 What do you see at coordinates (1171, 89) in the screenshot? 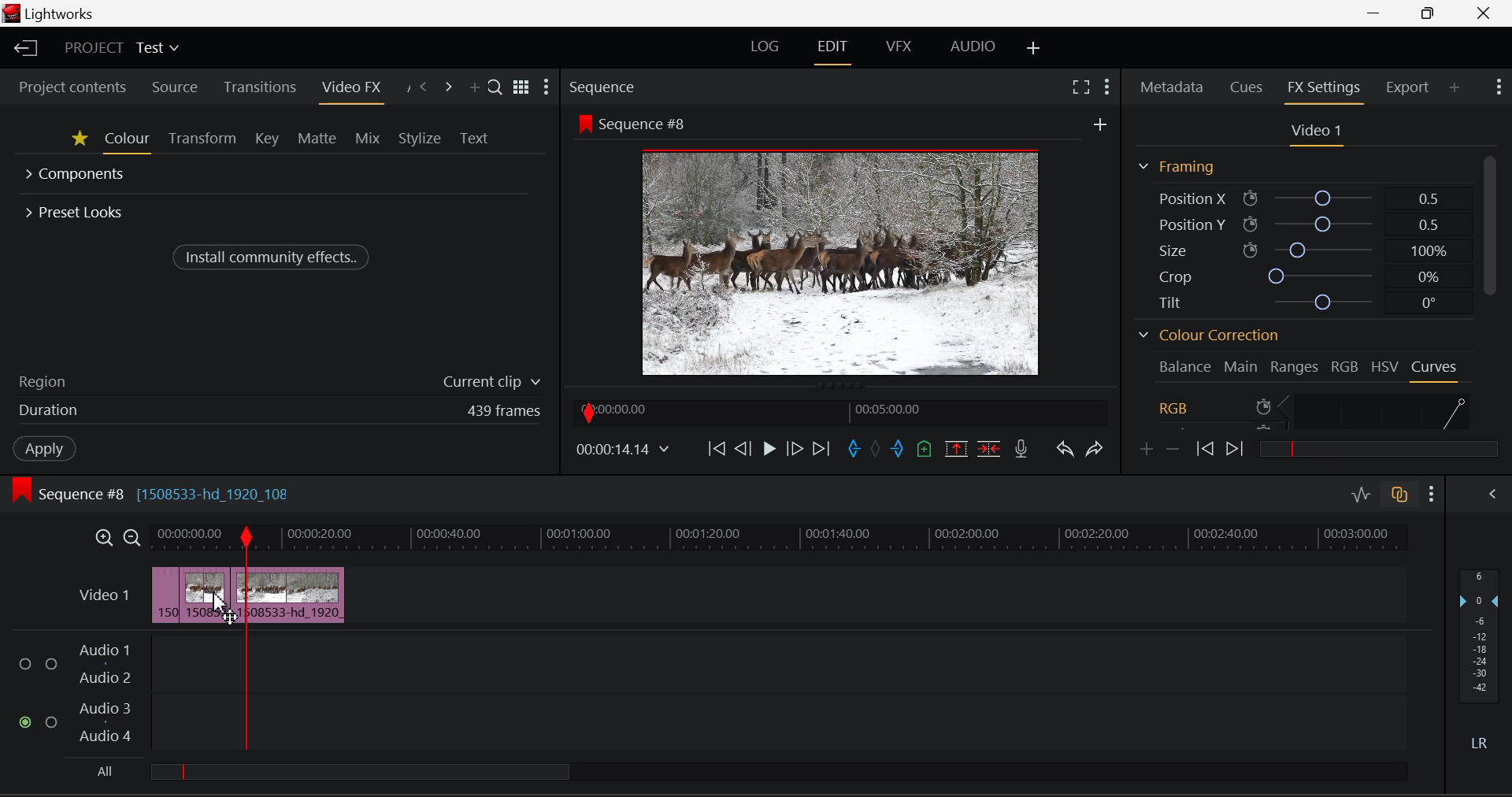
I see `Metadata Tab` at bounding box center [1171, 89].